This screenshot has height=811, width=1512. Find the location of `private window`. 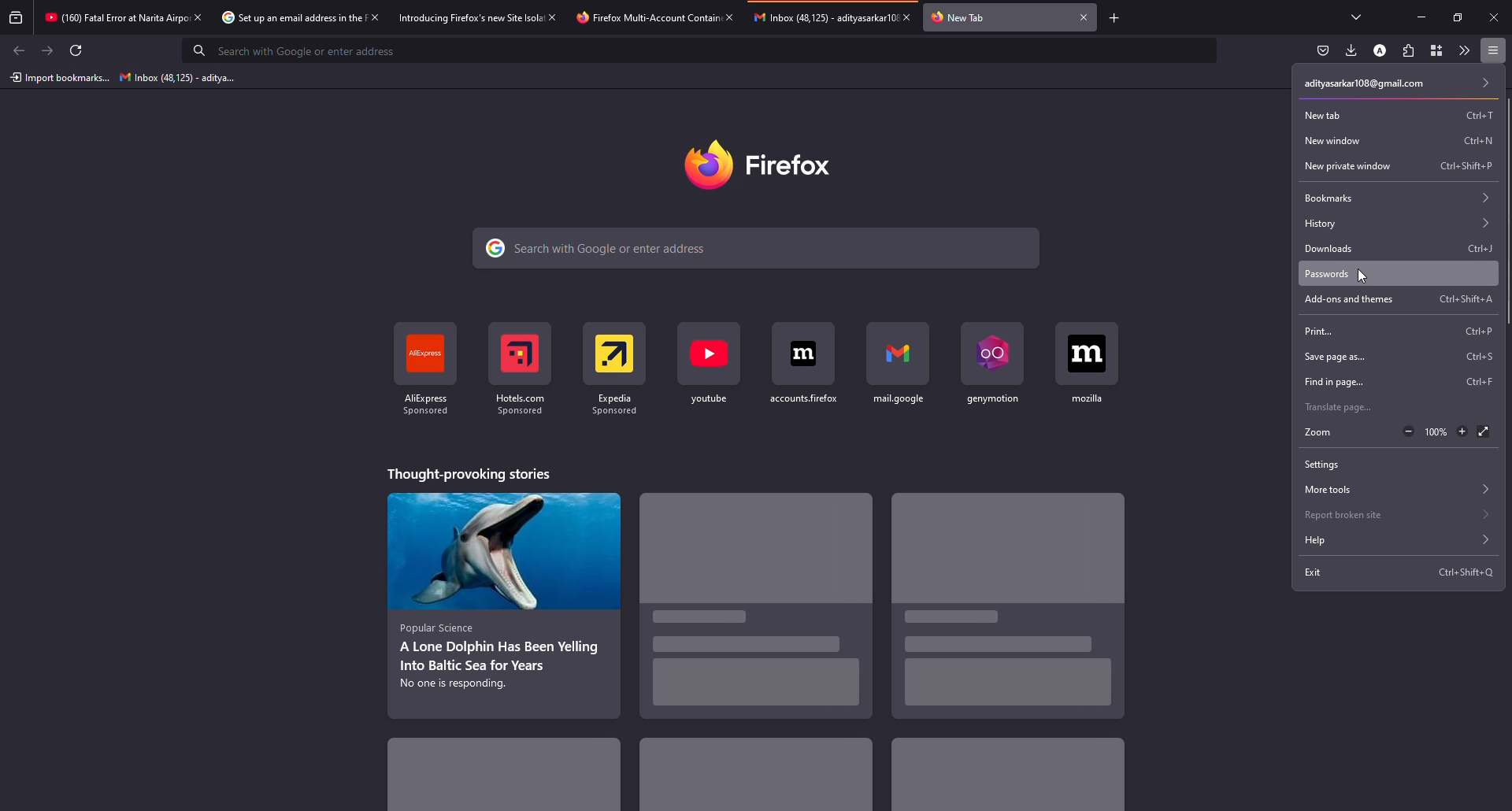

private window is located at coordinates (1343, 165).